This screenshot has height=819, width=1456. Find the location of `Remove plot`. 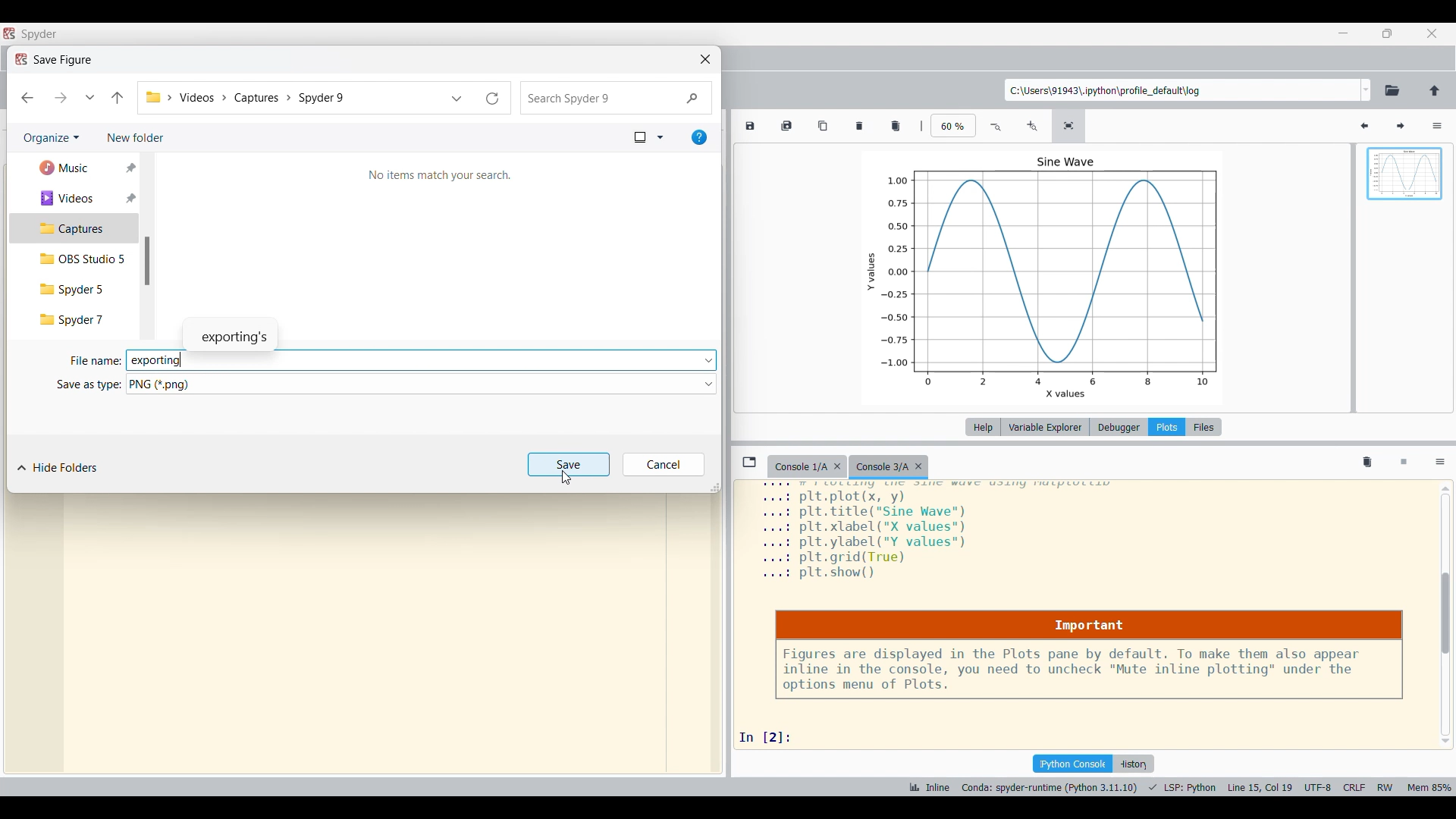

Remove plot is located at coordinates (860, 126).